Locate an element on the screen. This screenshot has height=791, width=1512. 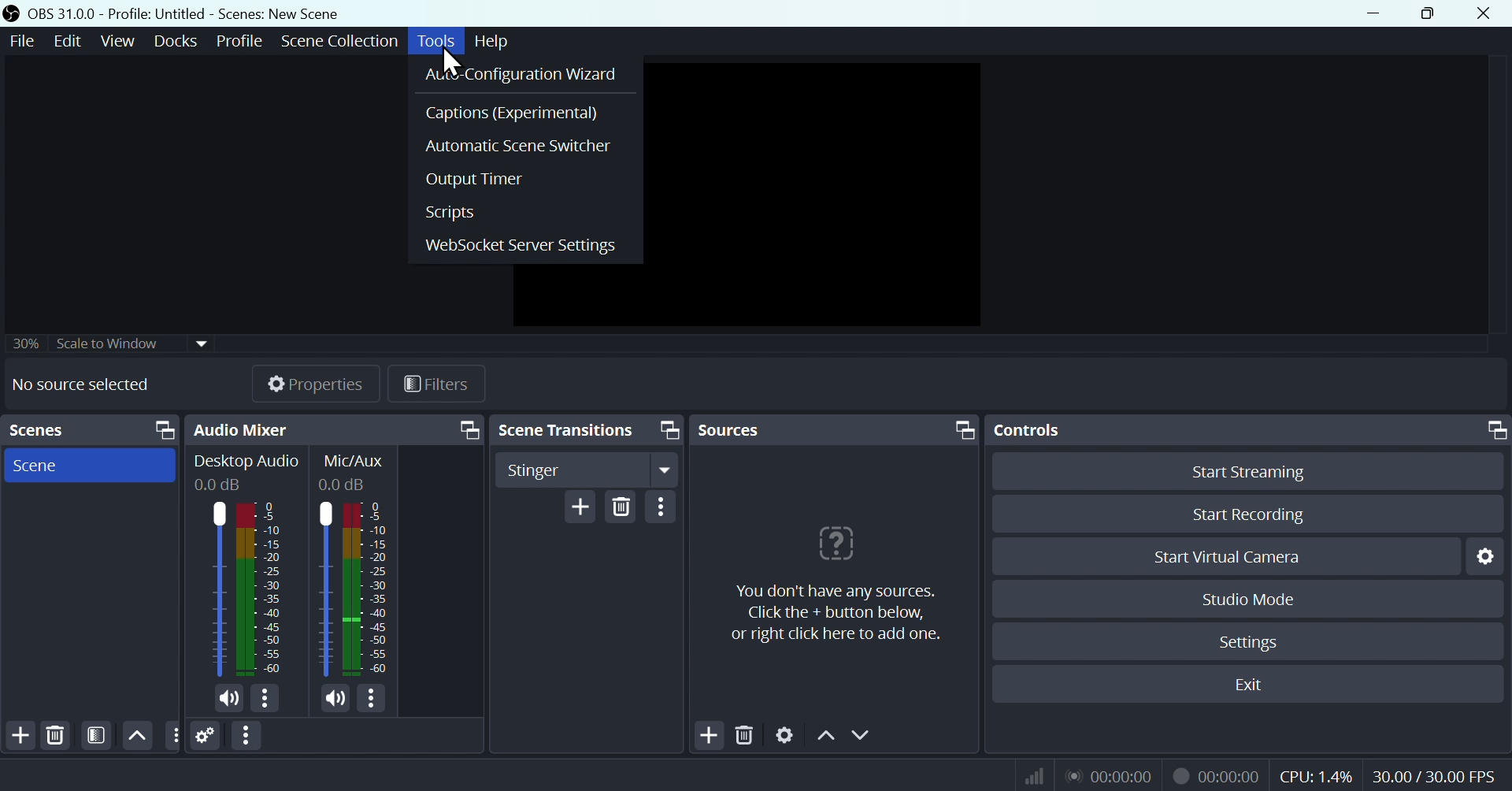
Scene is located at coordinates (89, 465).